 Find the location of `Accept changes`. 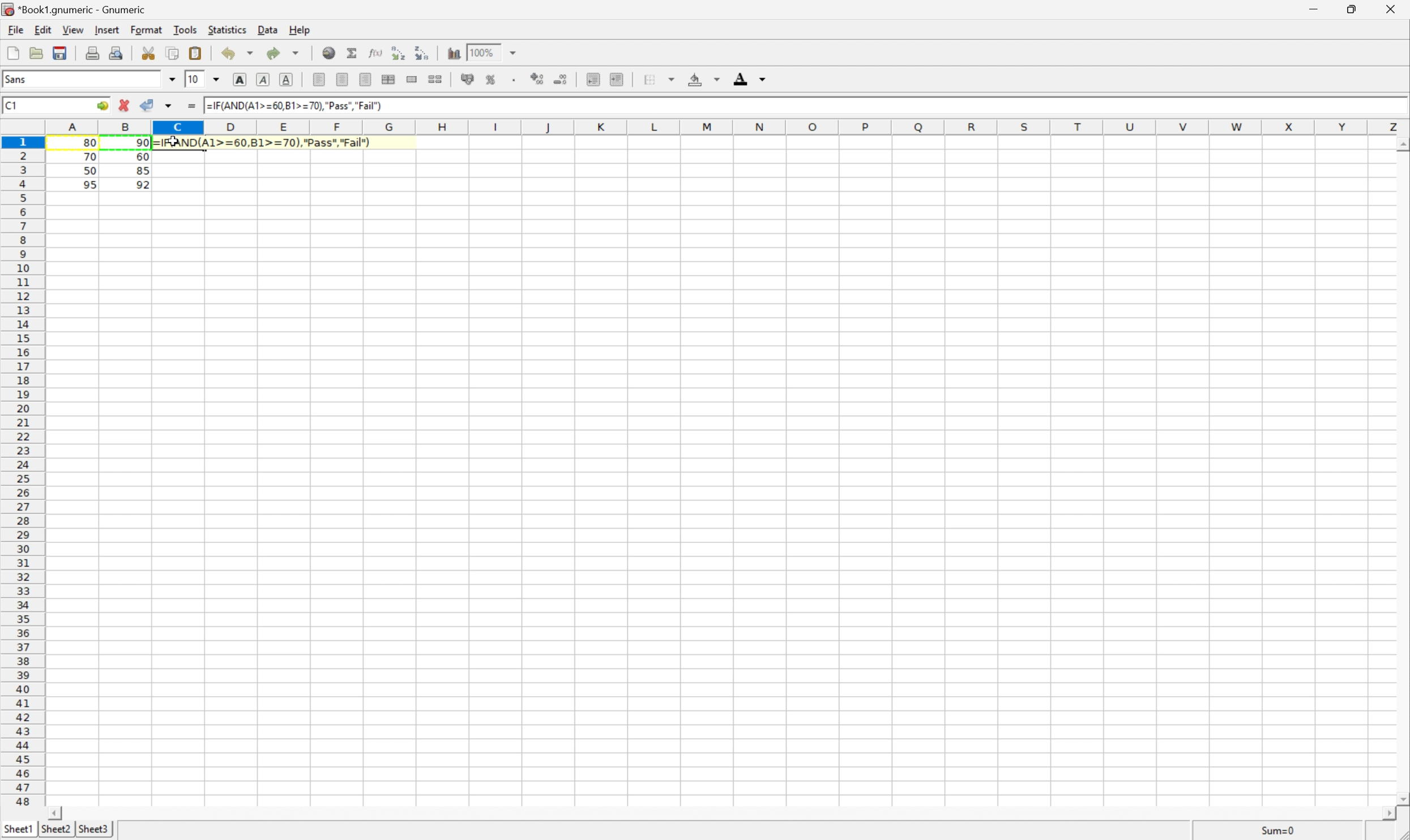

Accept changes is located at coordinates (146, 105).